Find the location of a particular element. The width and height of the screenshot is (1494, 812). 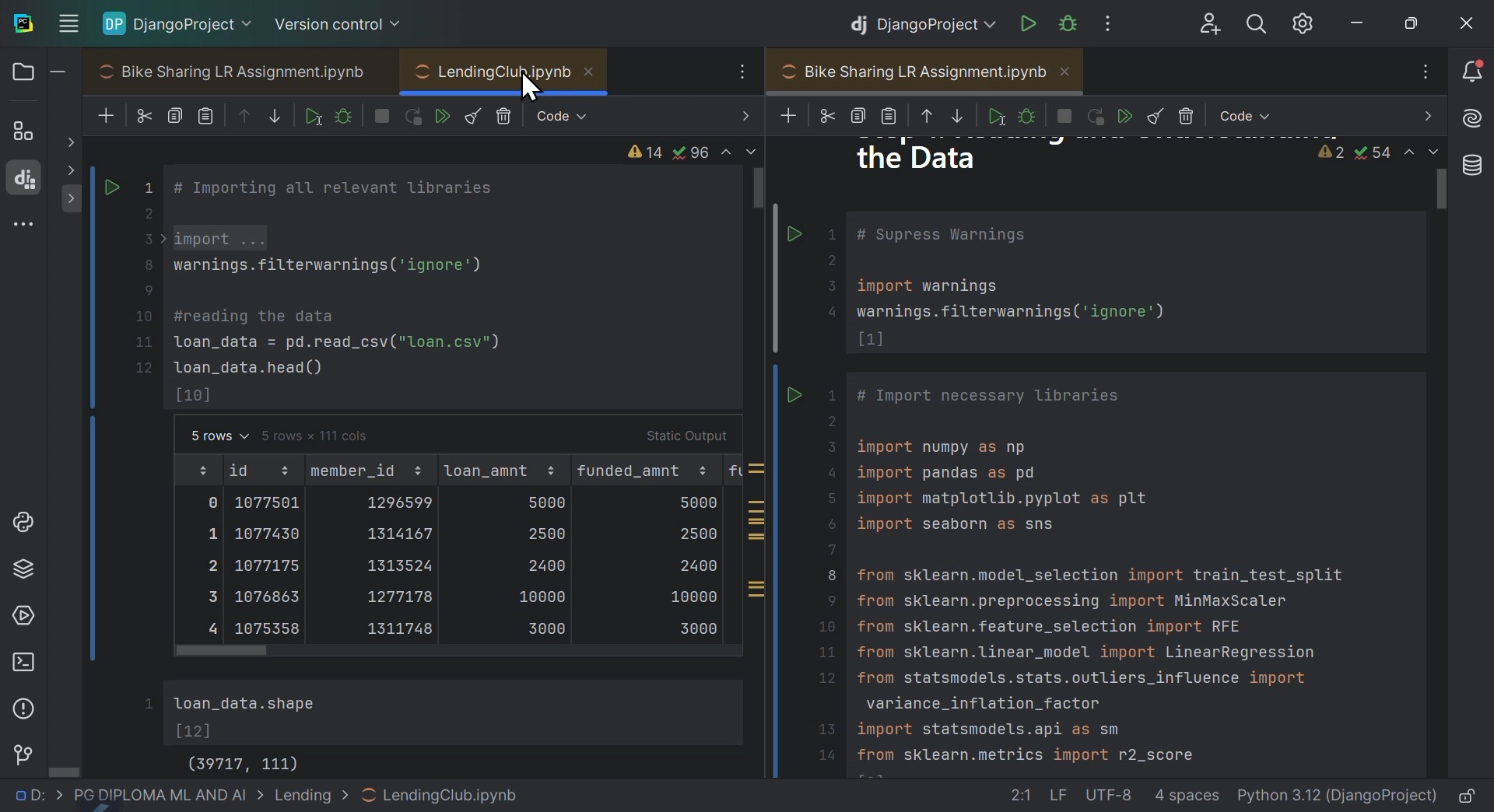

Files and folders is located at coordinates (38, 72).